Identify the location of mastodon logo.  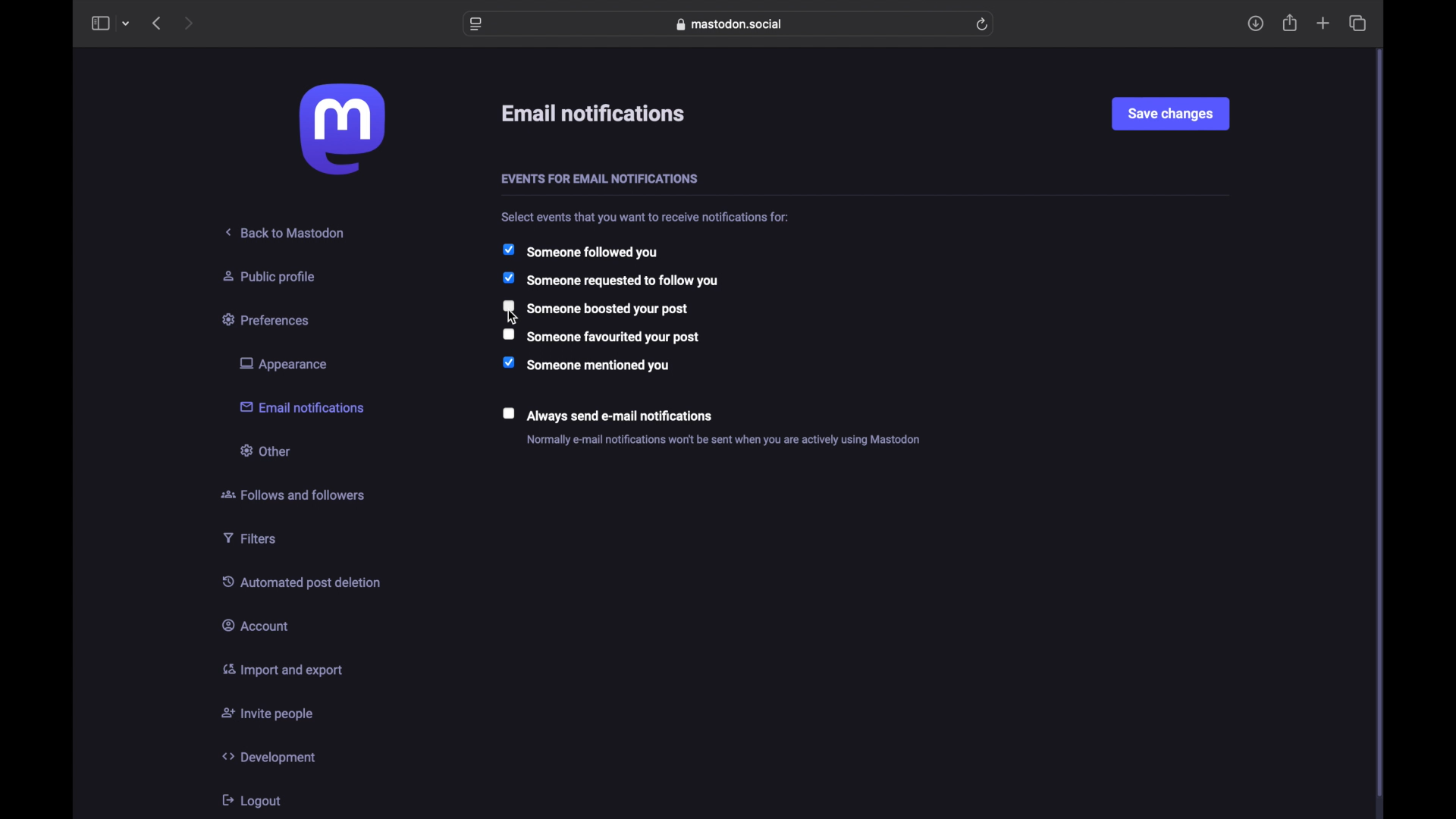
(342, 129).